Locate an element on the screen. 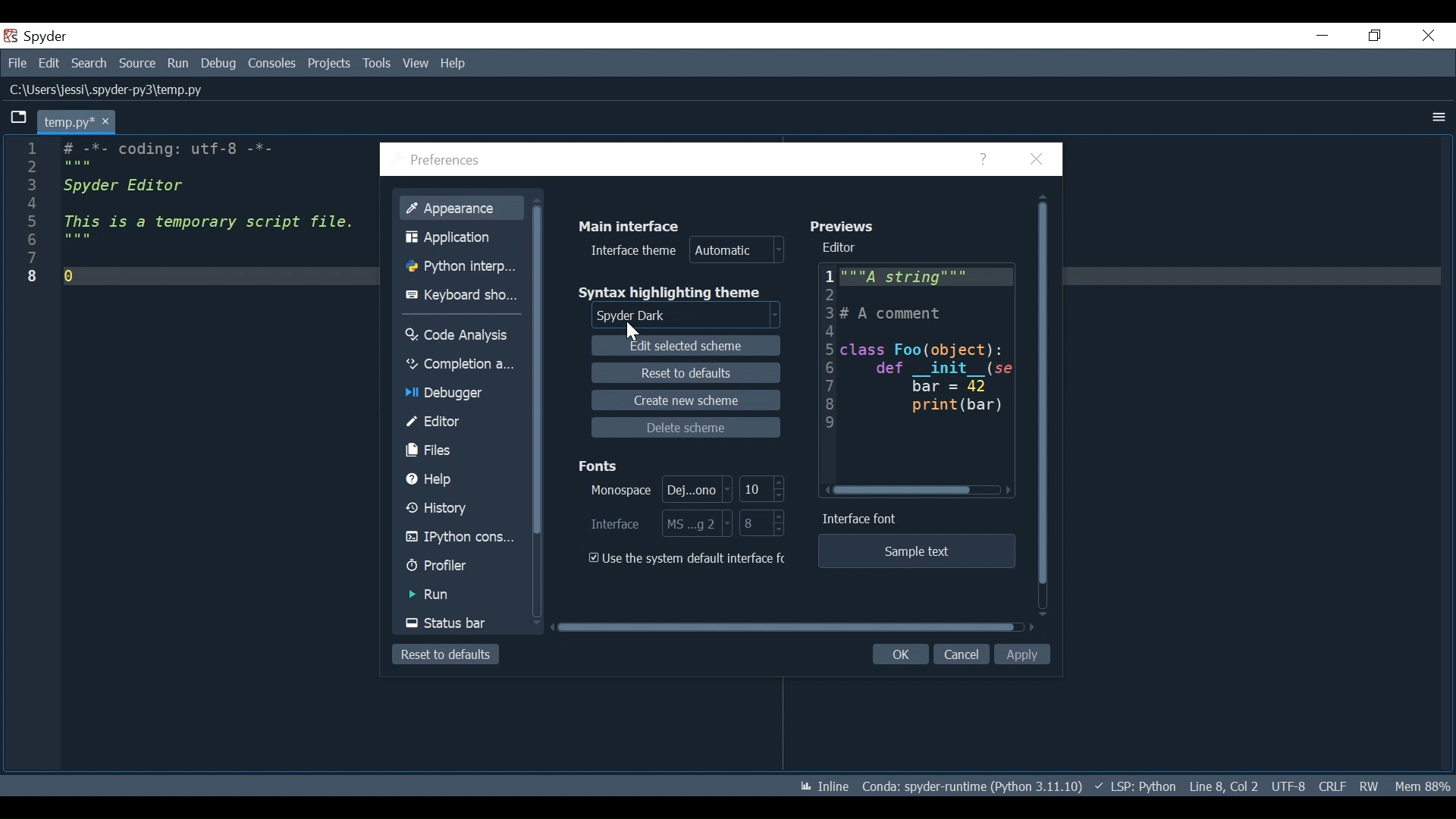  Memory Usage is located at coordinates (1422, 786).